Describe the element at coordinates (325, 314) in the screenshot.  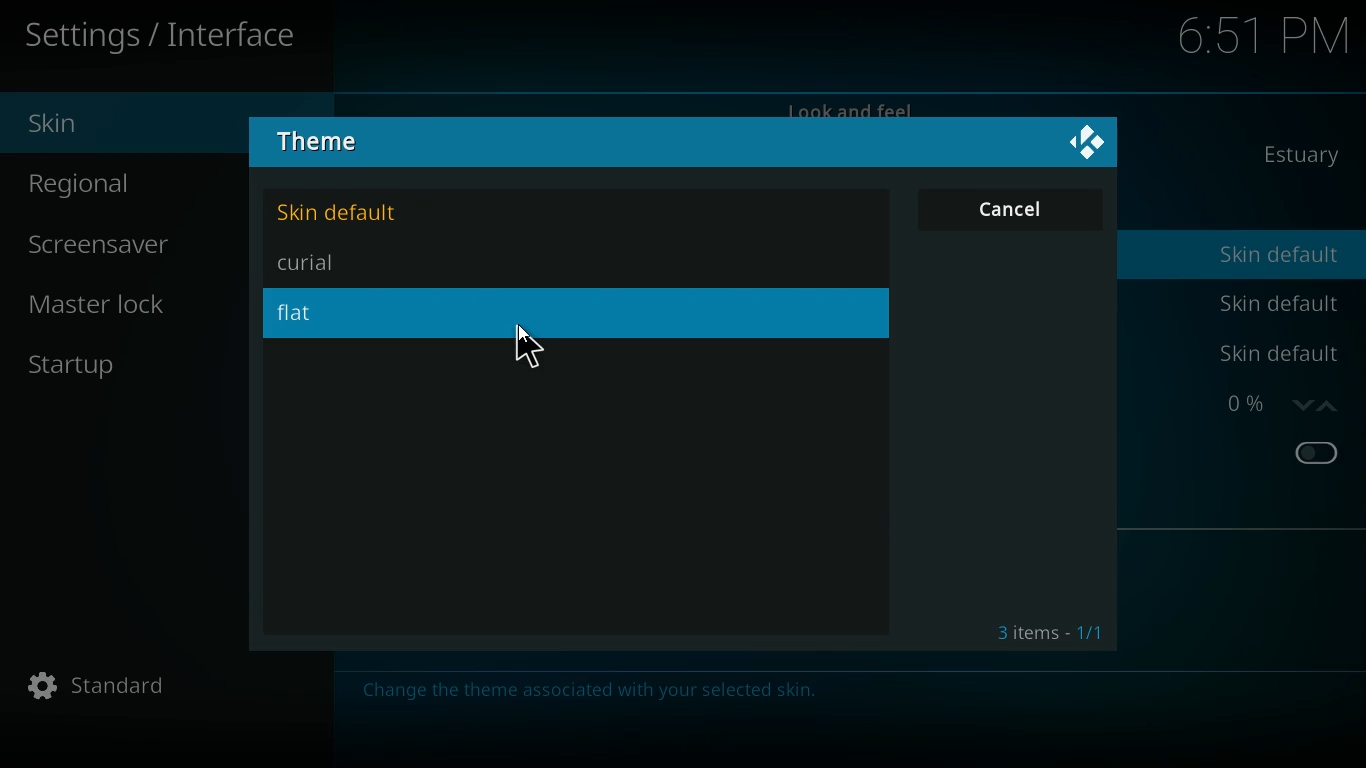
I see `flat` at that location.